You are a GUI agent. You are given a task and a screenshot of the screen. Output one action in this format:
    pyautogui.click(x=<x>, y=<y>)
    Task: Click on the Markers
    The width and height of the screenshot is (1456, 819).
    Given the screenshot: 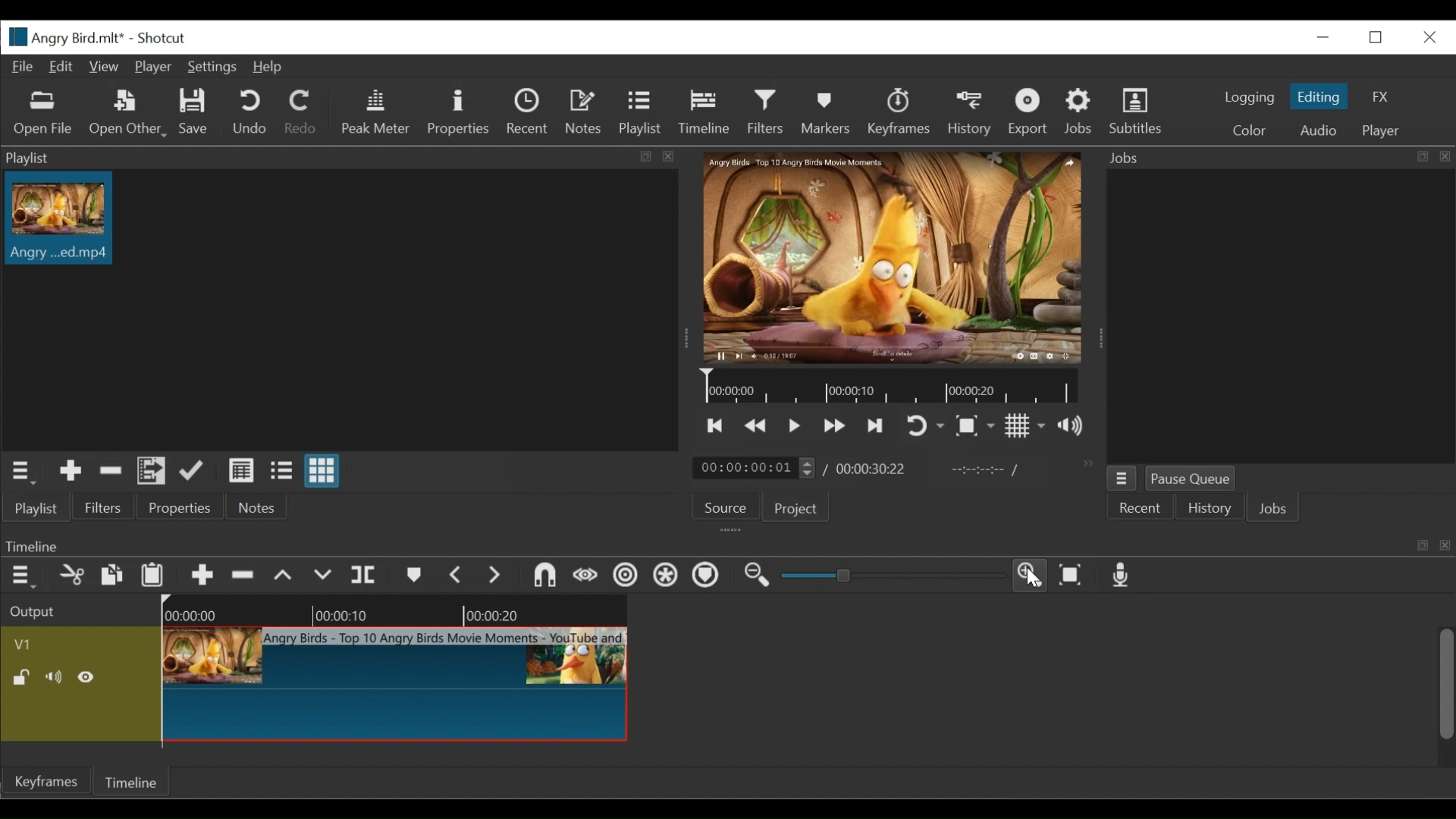 What is the action you would take?
    pyautogui.click(x=827, y=114)
    